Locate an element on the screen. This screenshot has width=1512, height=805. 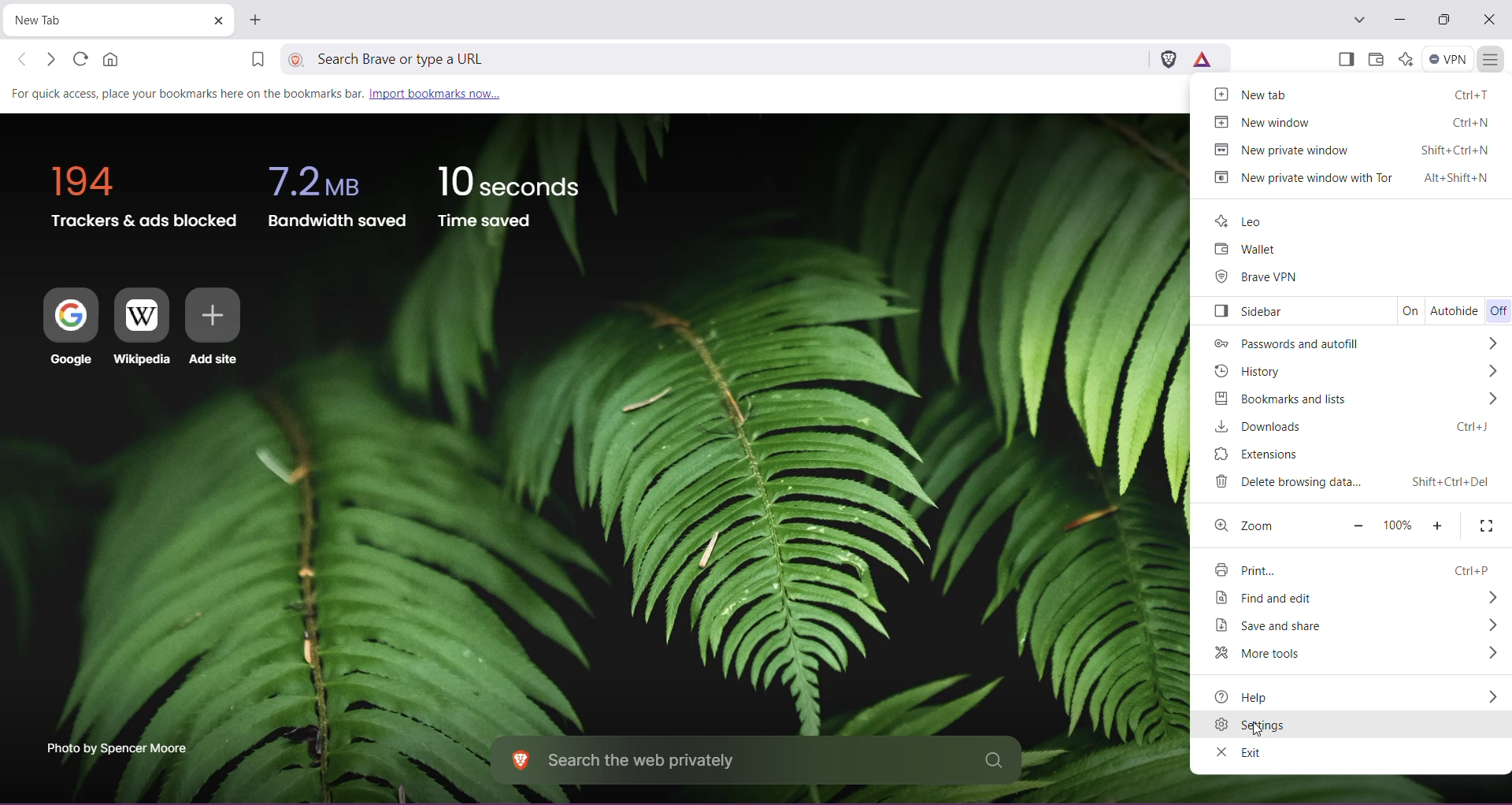
Google is located at coordinates (63, 328).